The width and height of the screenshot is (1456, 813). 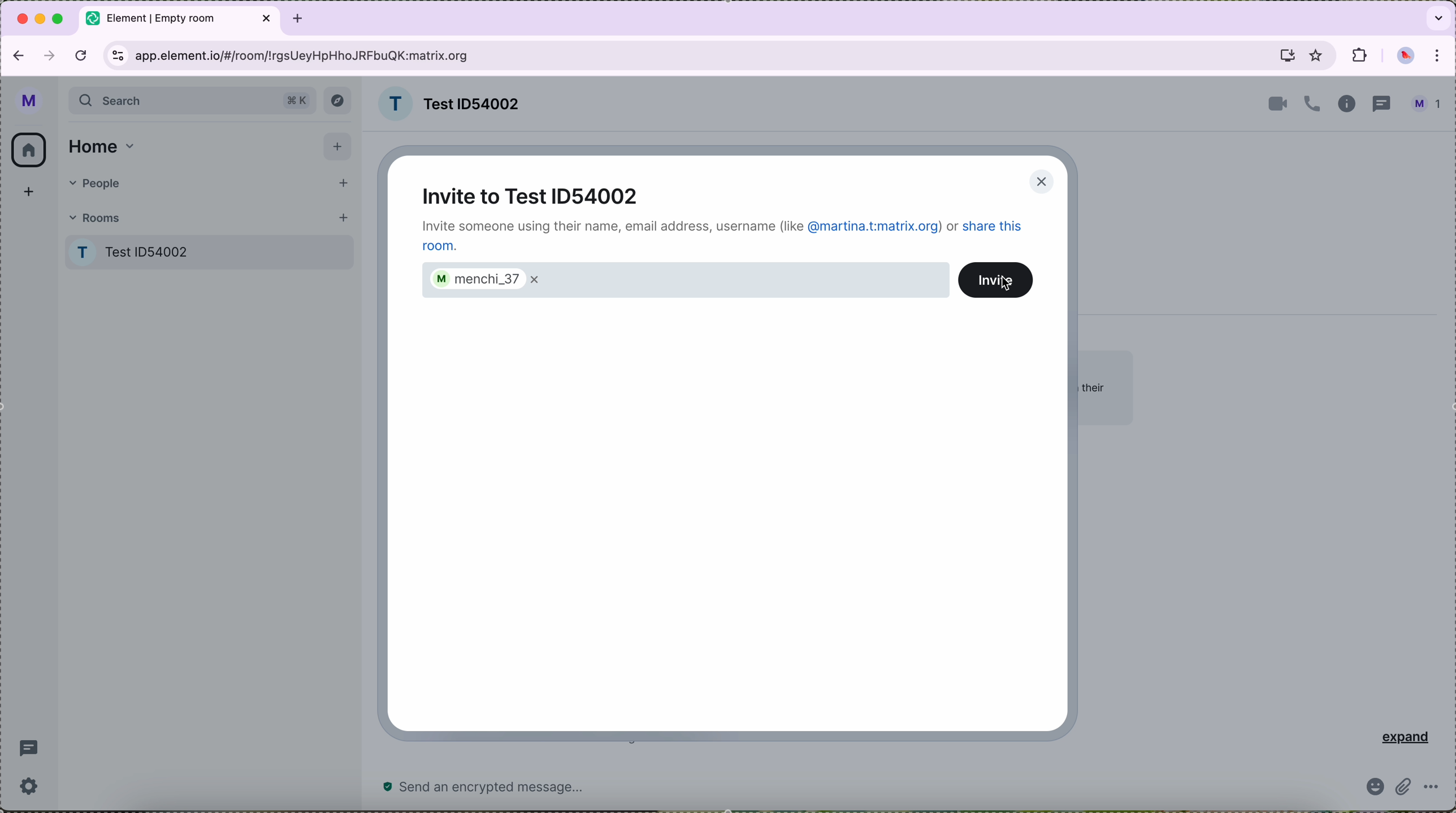 What do you see at coordinates (338, 101) in the screenshot?
I see `explore button` at bounding box center [338, 101].